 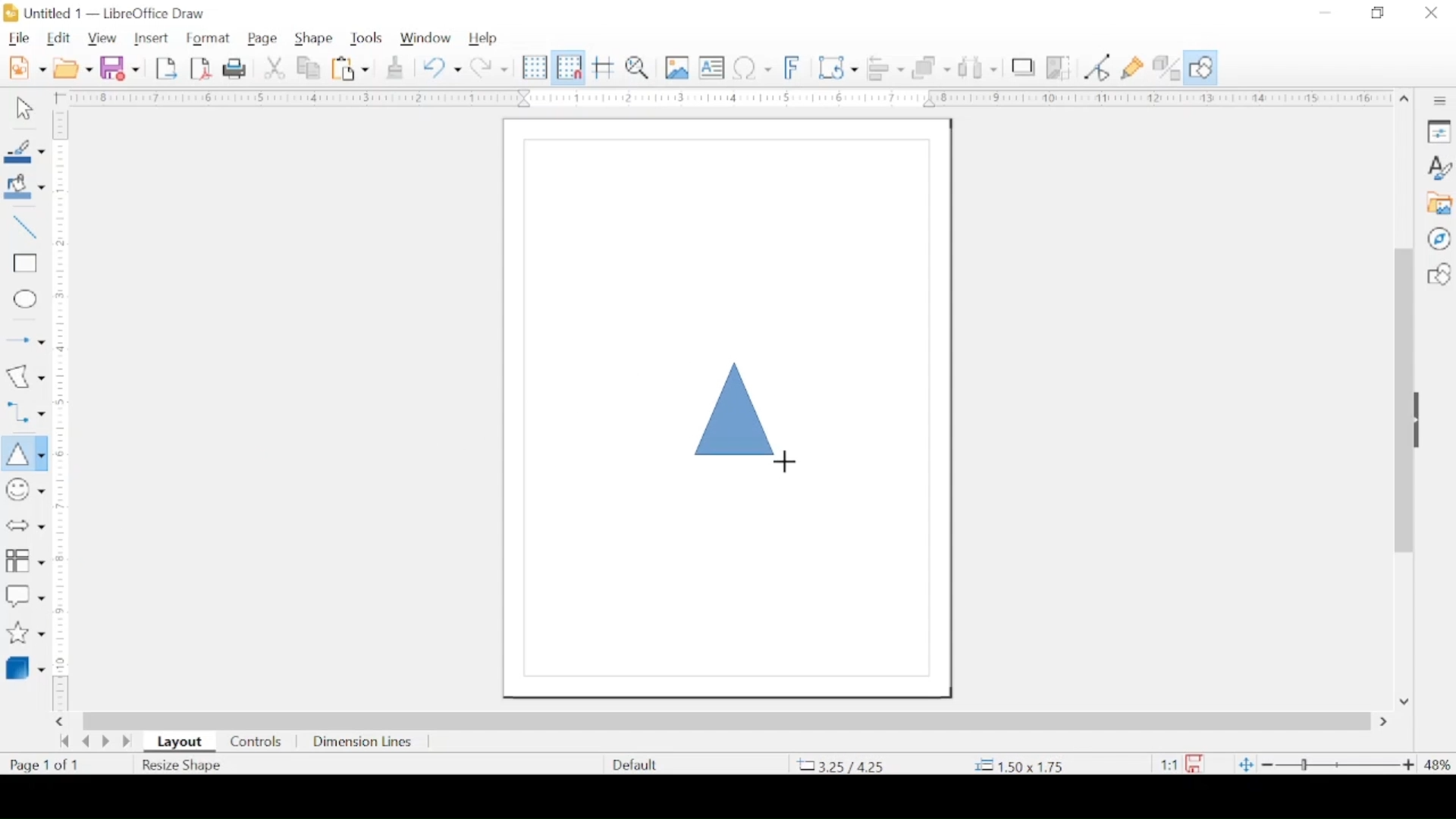 What do you see at coordinates (24, 265) in the screenshot?
I see `insert rectangle` at bounding box center [24, 265].